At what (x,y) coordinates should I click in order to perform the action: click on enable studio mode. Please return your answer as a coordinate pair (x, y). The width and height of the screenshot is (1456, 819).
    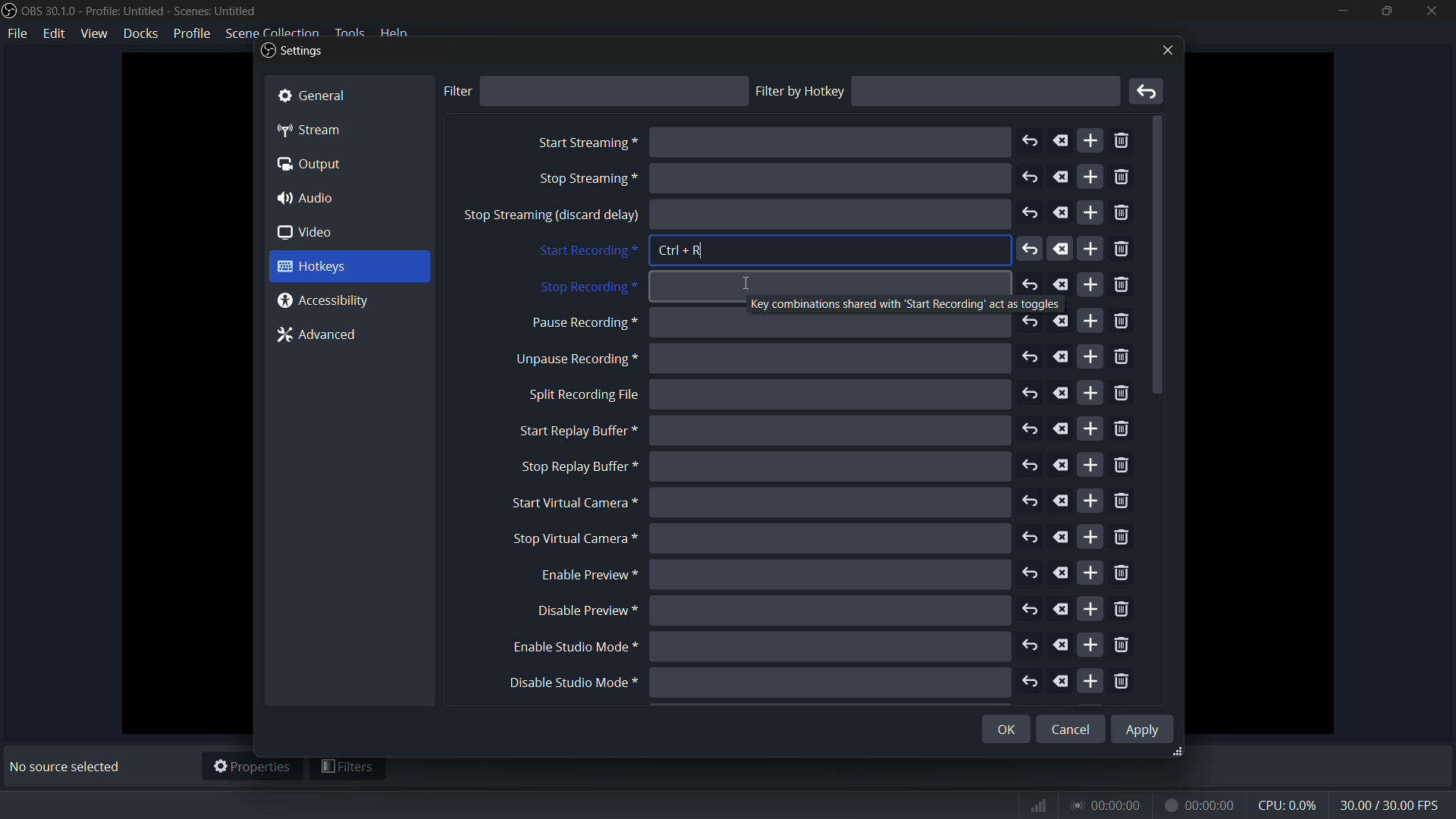
    Looking at the image, I should click on (571, 648).